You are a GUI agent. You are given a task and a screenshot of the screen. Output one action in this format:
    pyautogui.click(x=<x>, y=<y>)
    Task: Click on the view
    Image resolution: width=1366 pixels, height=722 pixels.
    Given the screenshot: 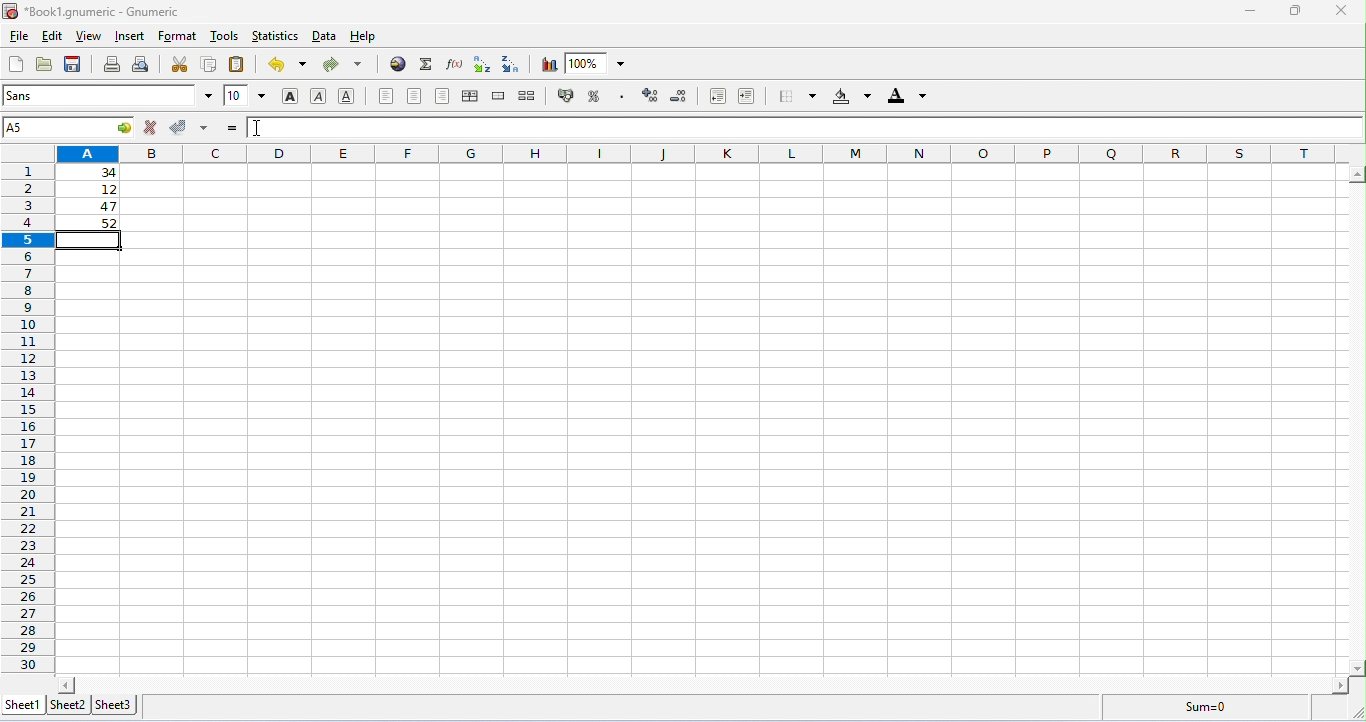 What is the action you would take?
    pyautogui.click(x=89, y=37)
    